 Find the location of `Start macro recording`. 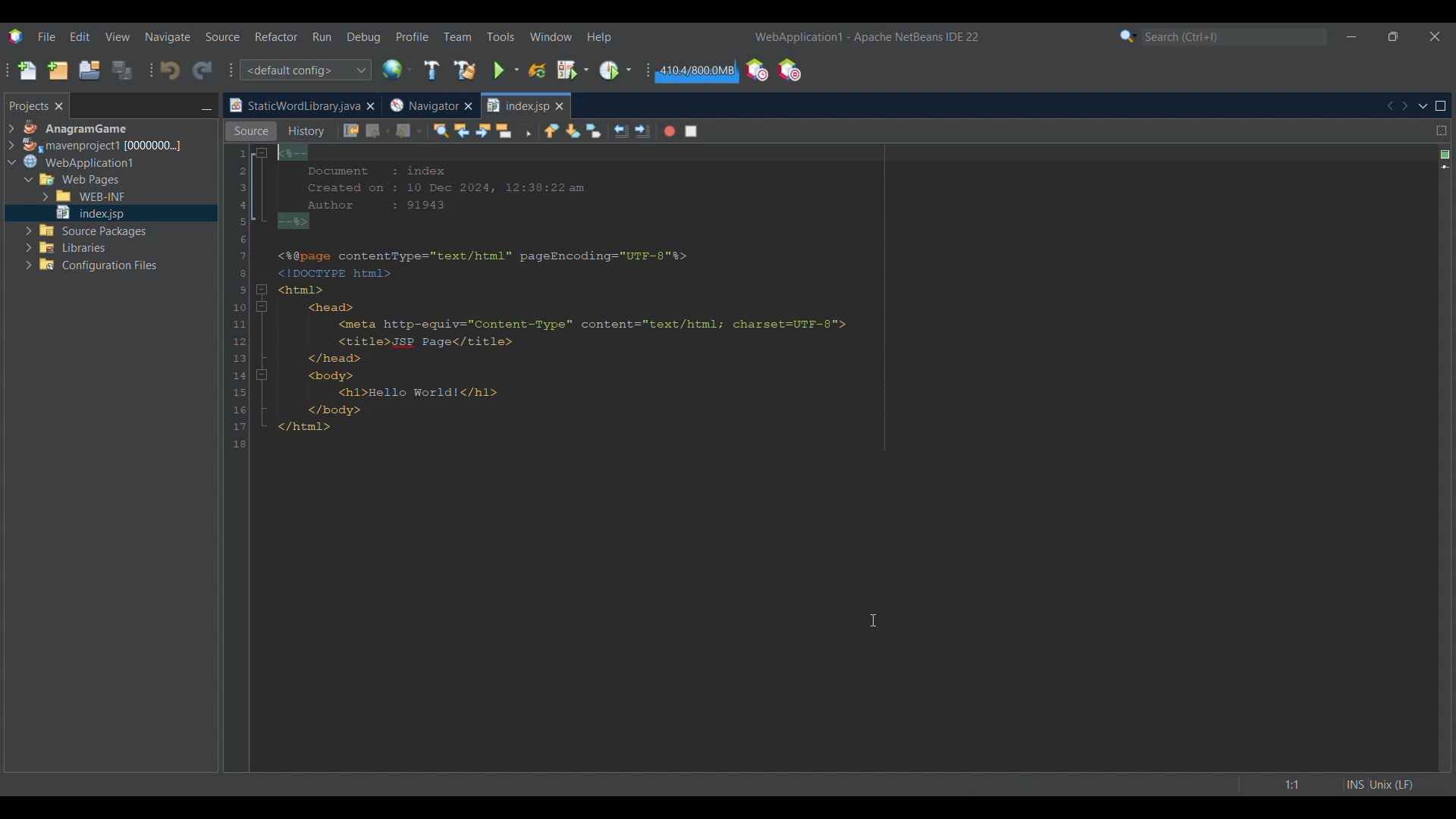

Start macro recording is located at coordinates (670, 131).